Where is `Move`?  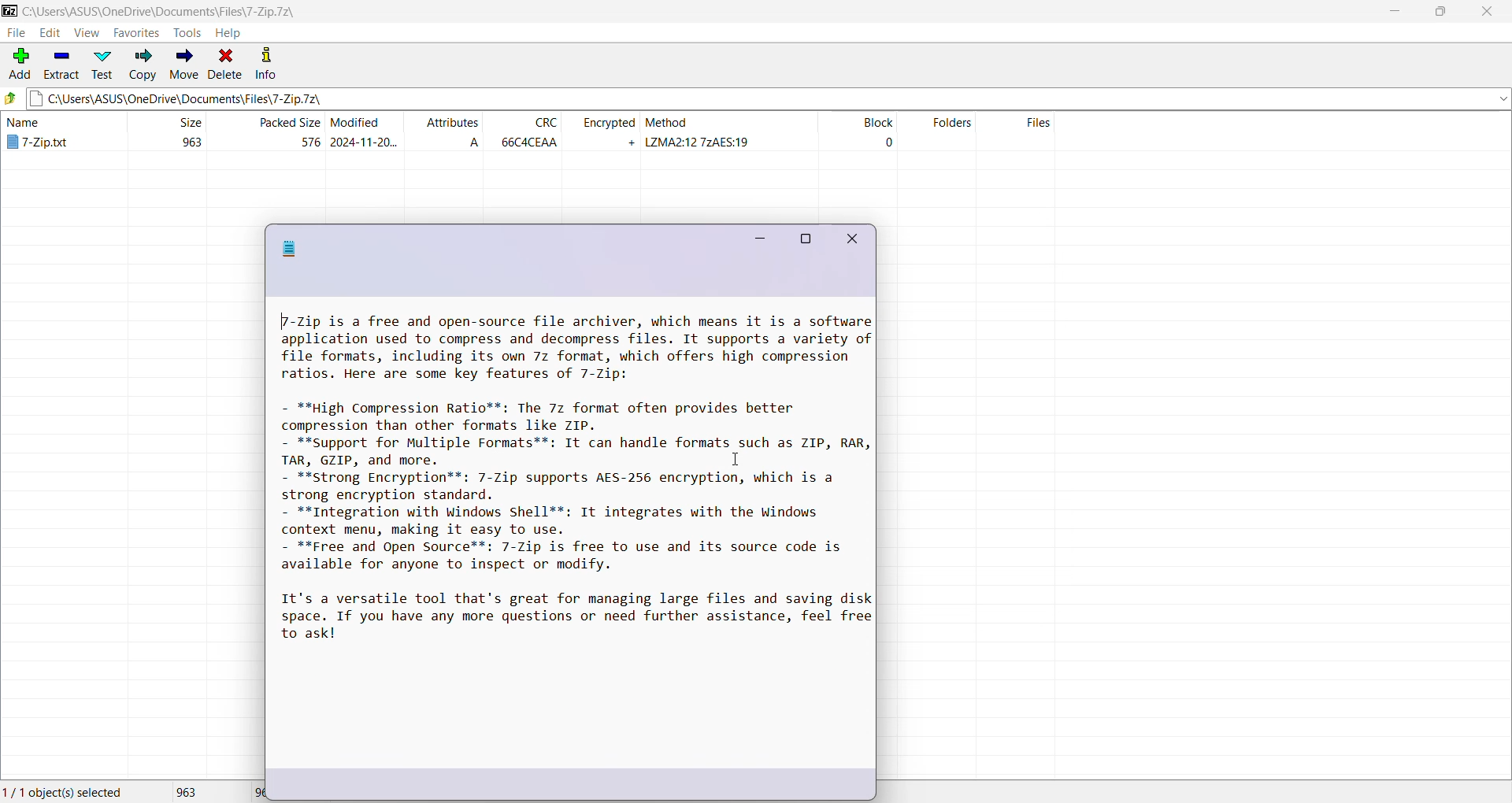
Move is located at coordinates (184, 62).